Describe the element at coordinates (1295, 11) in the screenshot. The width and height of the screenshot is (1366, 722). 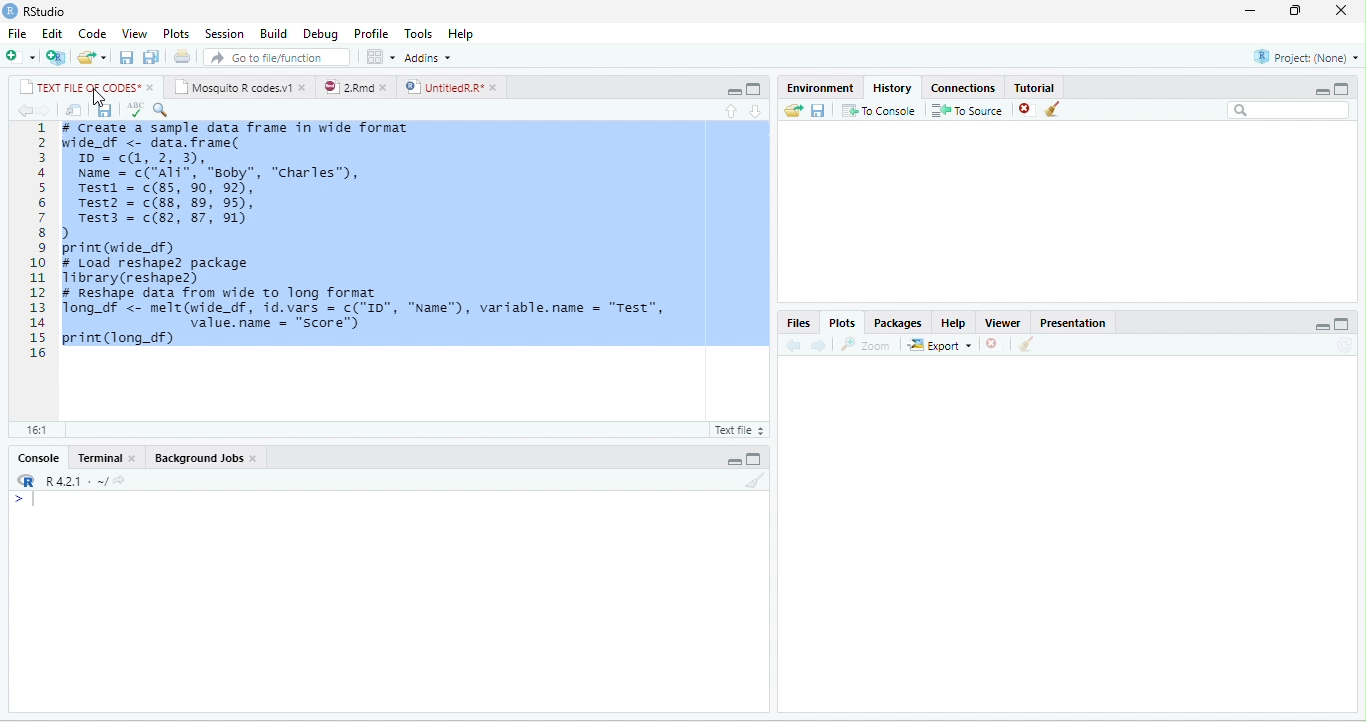
I see `resize` at that location.